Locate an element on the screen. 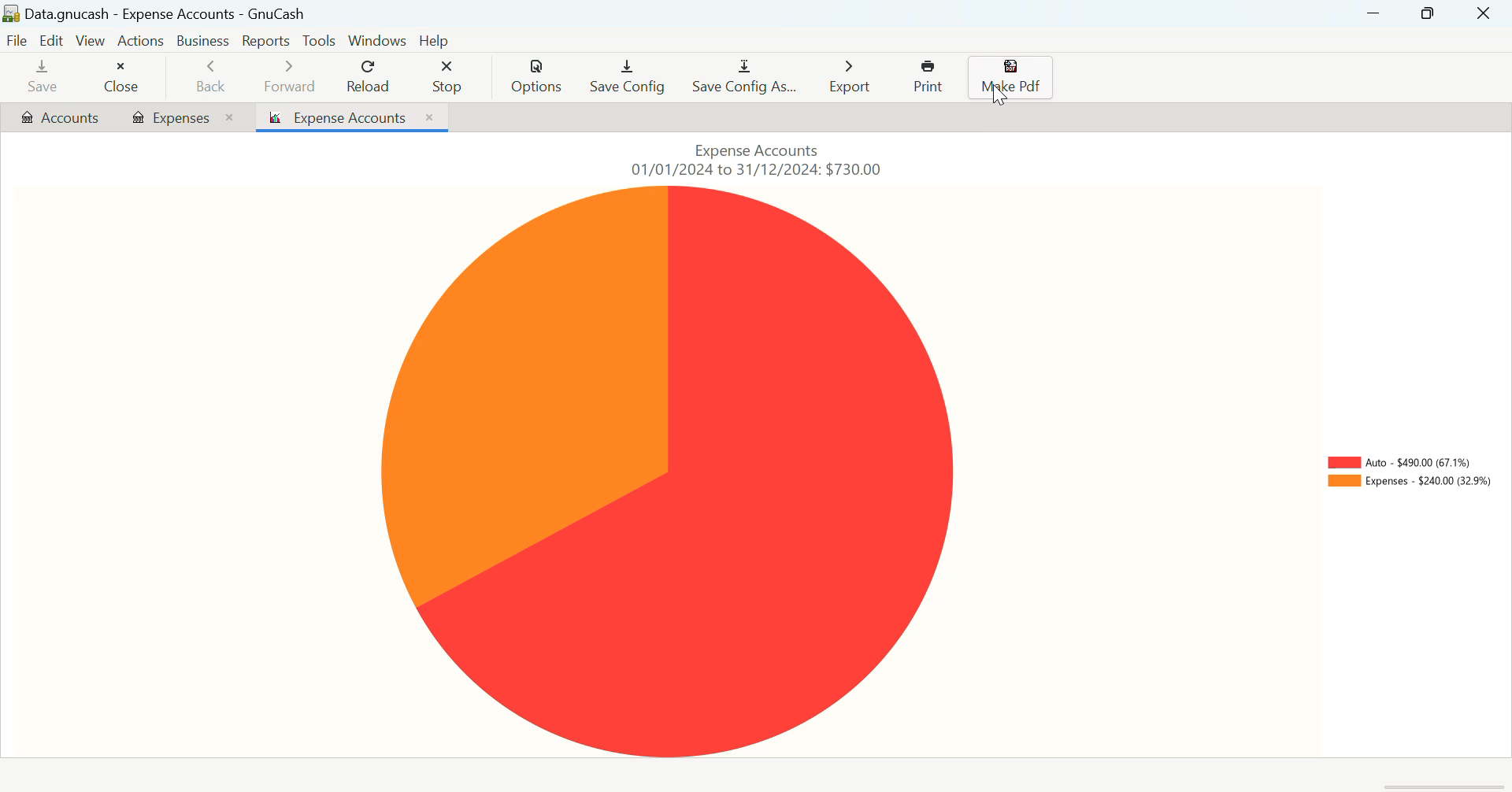 The image size is (1512, 792). Reload is located at coordinates (370, 77).